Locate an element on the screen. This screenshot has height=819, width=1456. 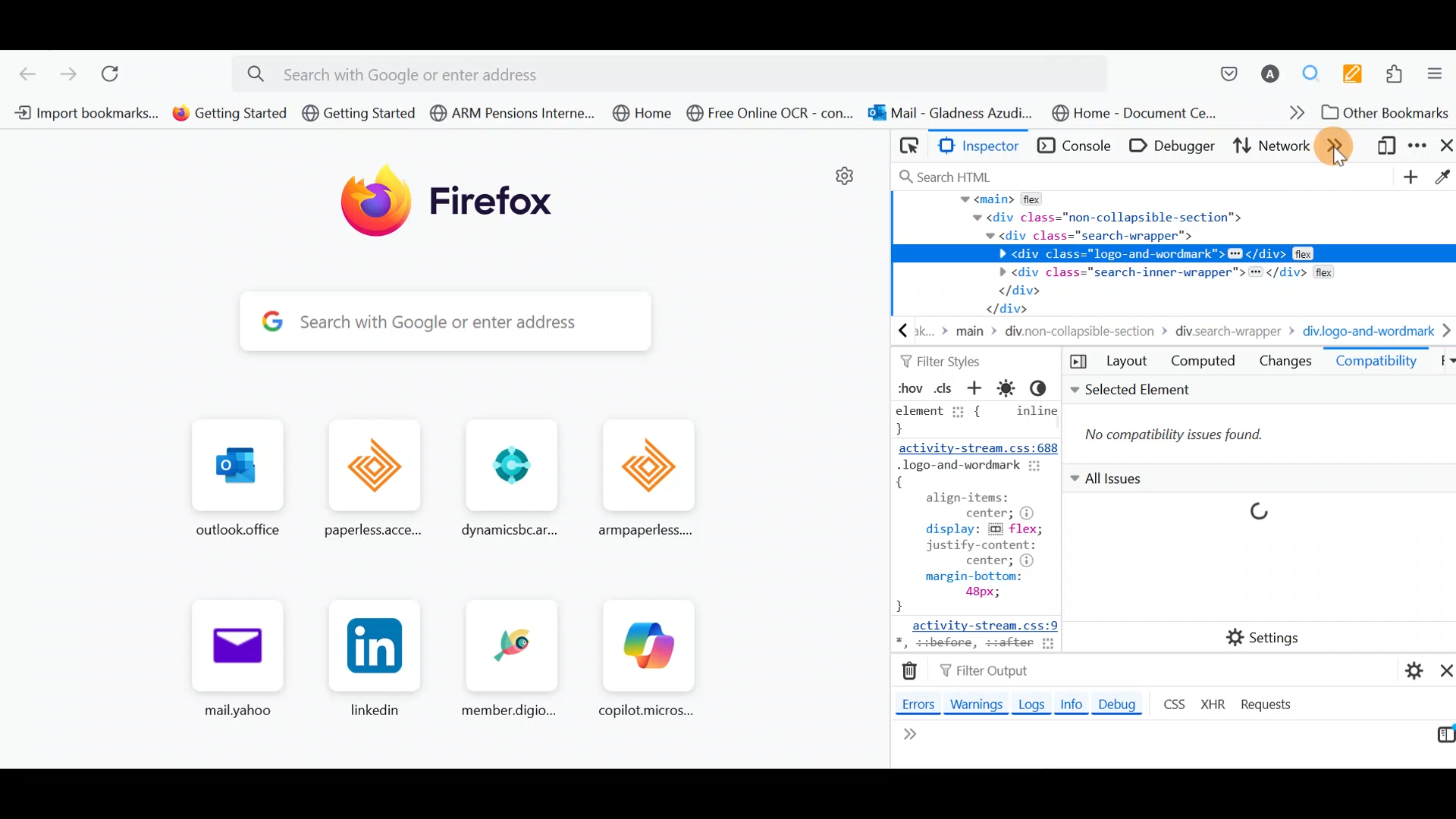
Multi keywords highlighter is located at coordinates (1357, 74).